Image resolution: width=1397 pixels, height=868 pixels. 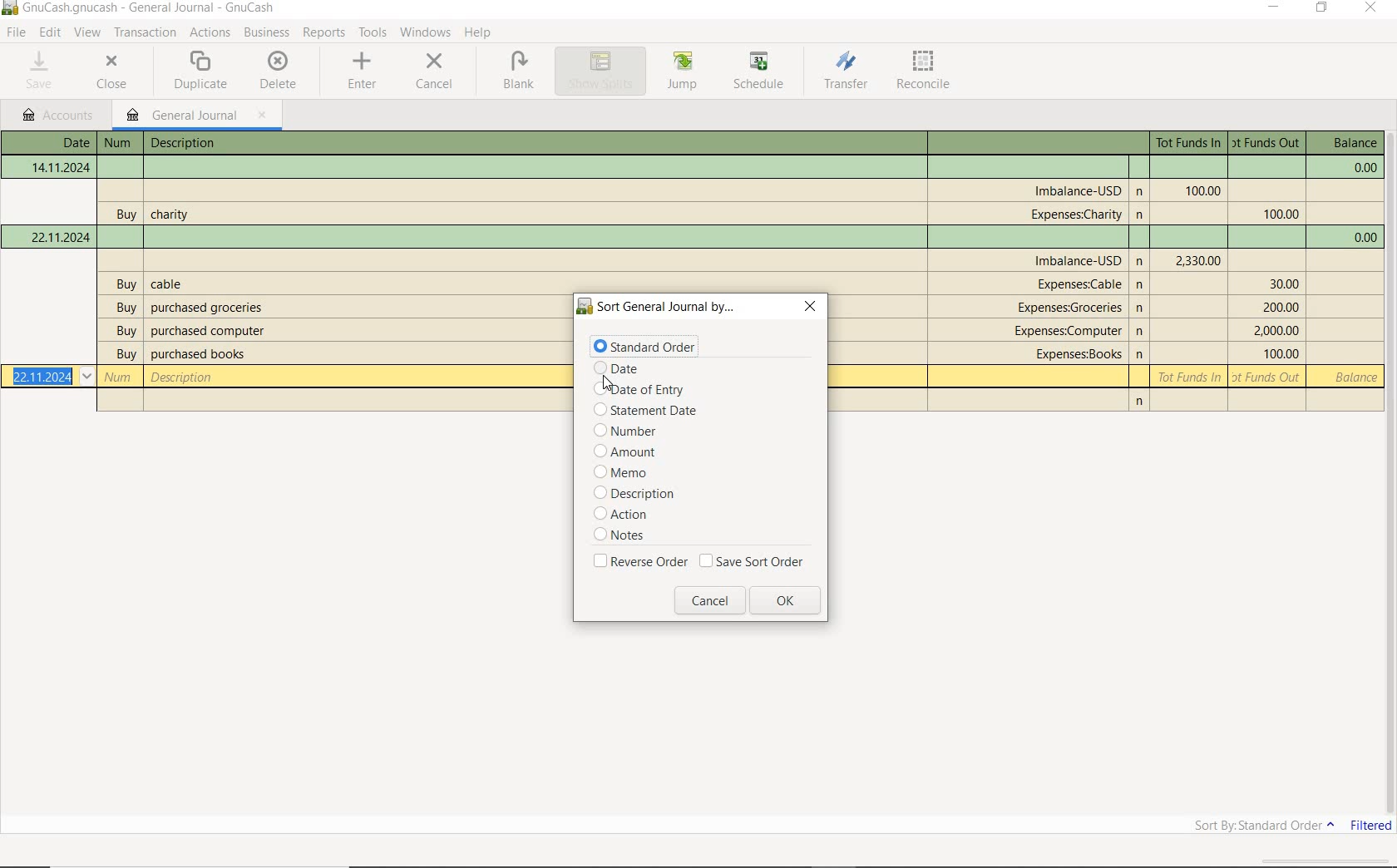 I want to click on memo, so click(x=626, y=473).